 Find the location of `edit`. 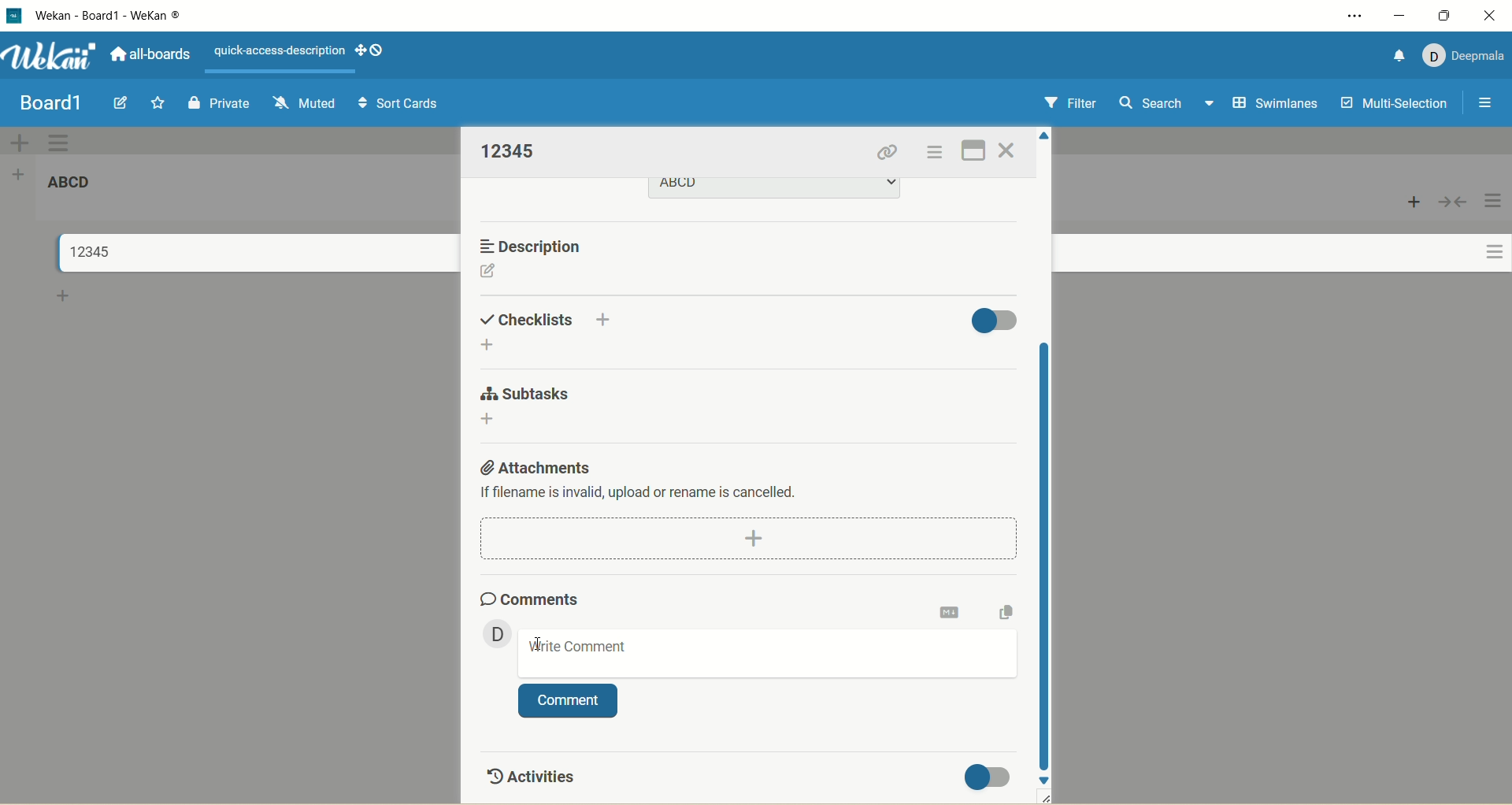

edit is located at coordinates (120, 103).